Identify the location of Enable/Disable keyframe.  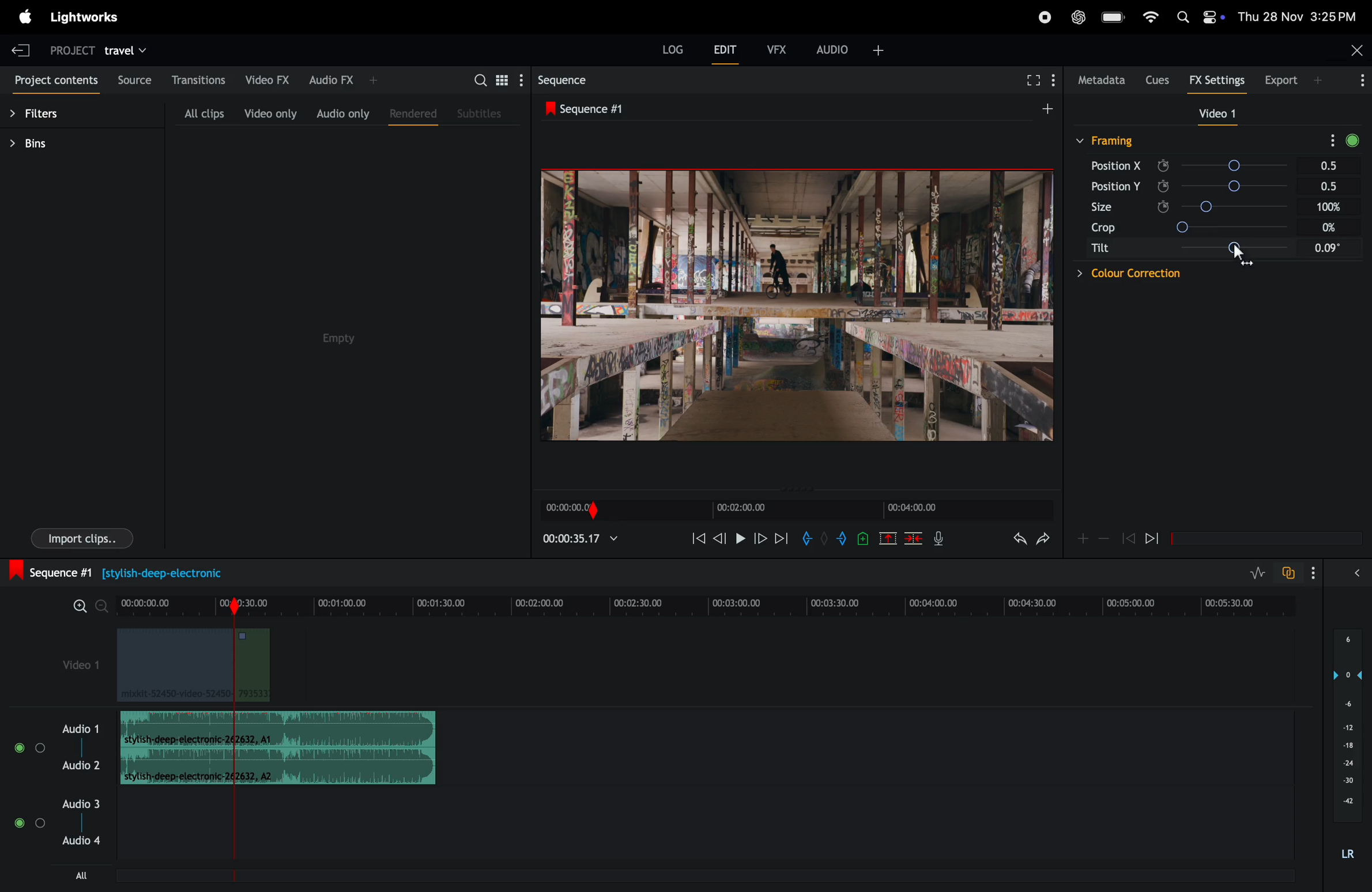
(1162, 209).